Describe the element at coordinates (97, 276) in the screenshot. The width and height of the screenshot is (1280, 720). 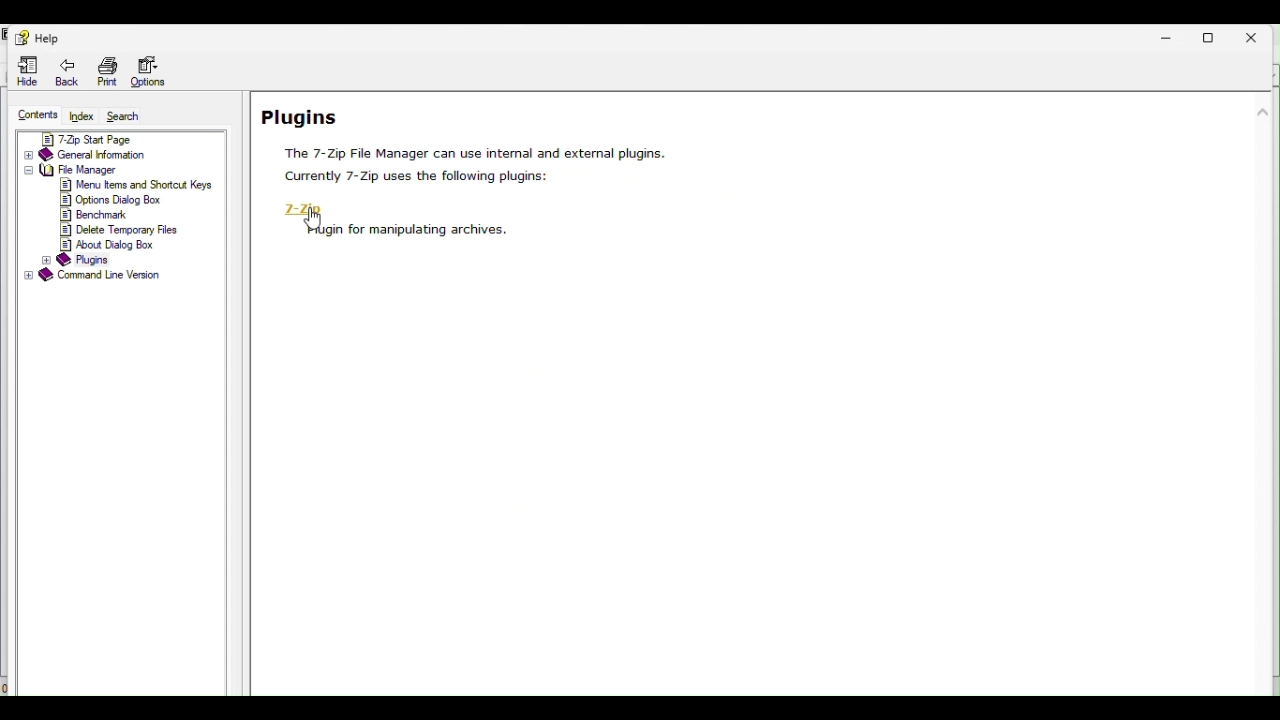
I see `command line version` at that location.